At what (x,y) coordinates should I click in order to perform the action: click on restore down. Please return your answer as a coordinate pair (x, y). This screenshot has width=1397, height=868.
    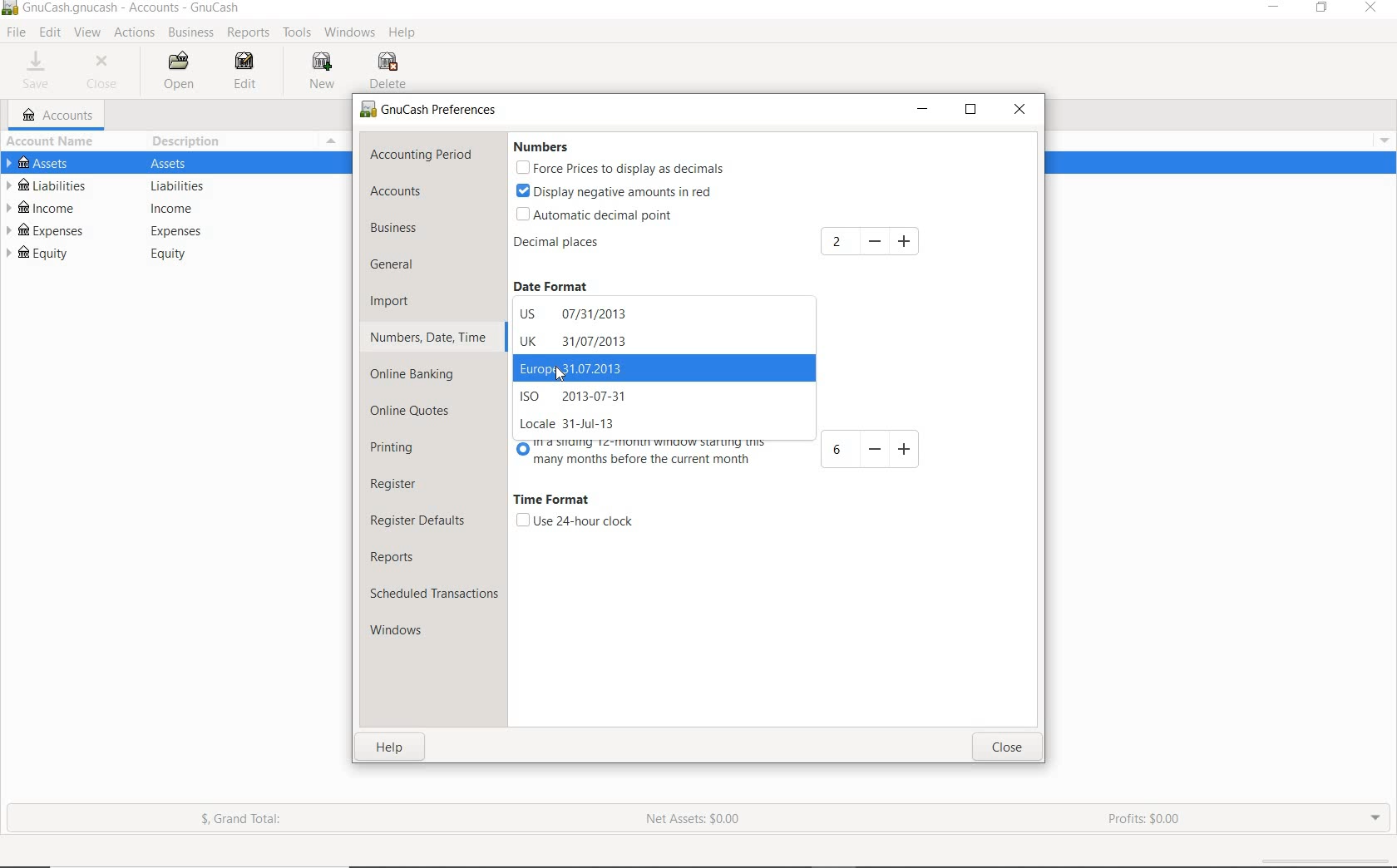
    Looking at the image, I should click on (975, 113).